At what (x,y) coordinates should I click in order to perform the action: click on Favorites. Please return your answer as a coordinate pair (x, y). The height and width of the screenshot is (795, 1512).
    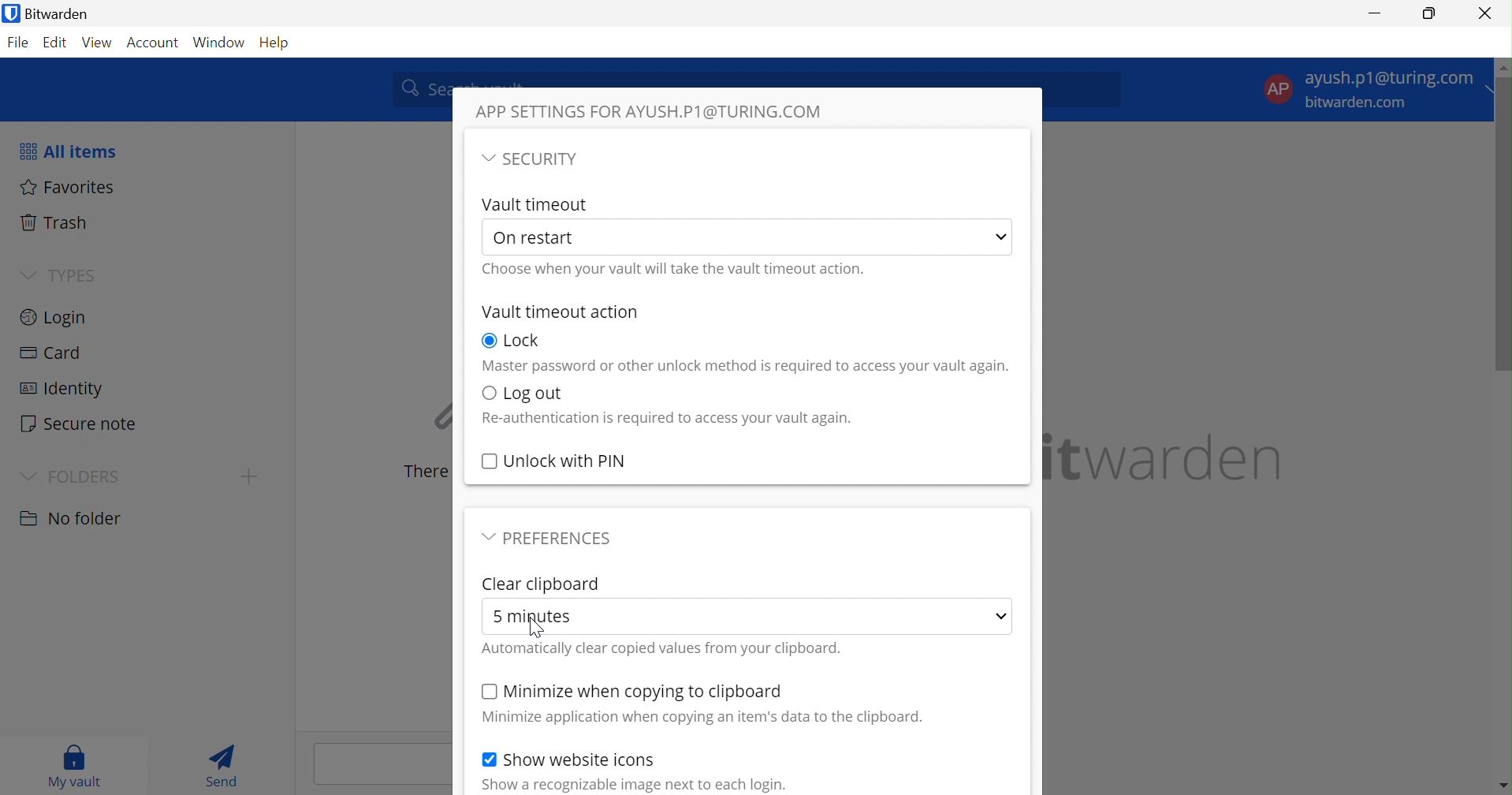
    Looking at the image, I should click on (72, 188).